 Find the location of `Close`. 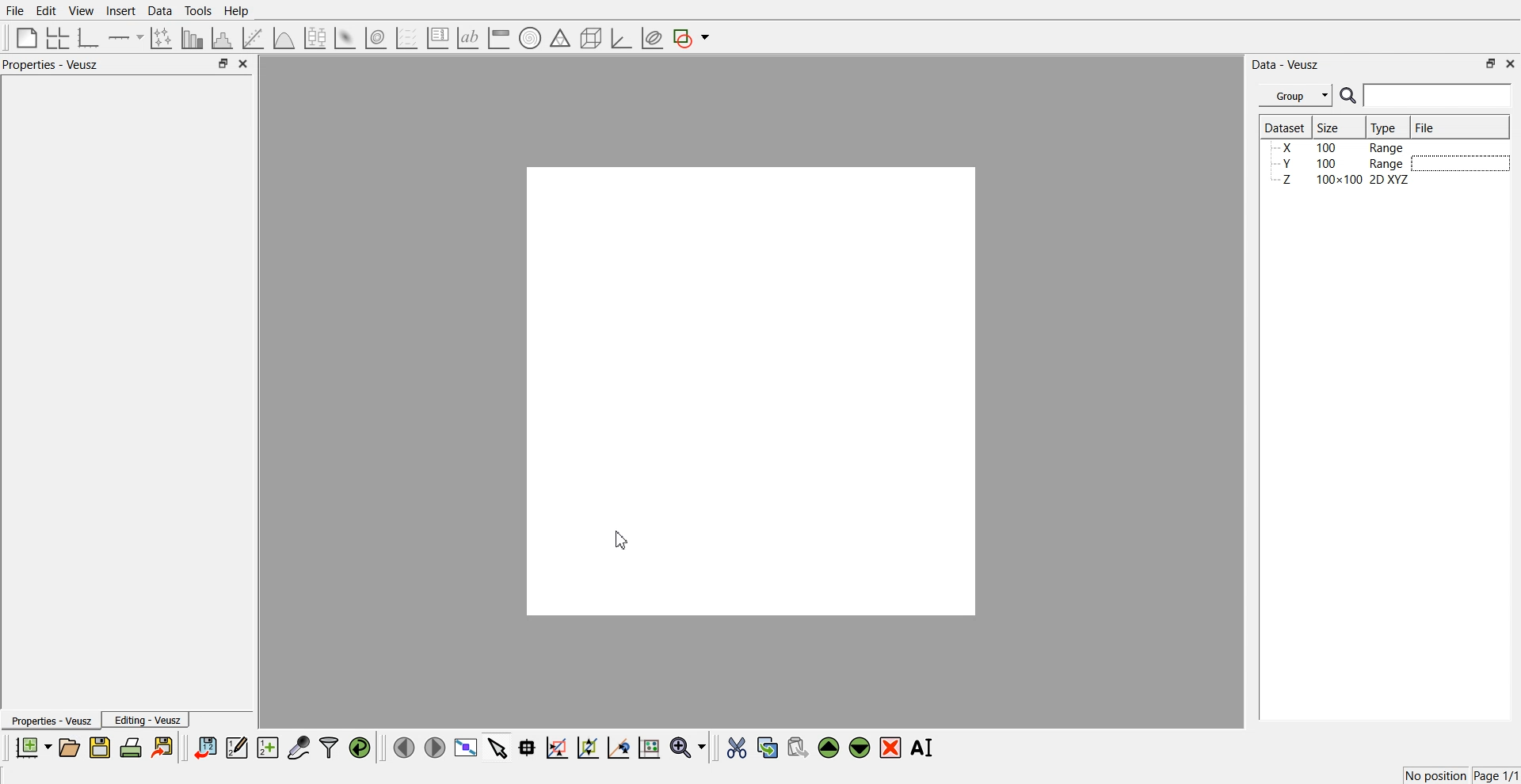

Close is located at coordinates (244, 63).